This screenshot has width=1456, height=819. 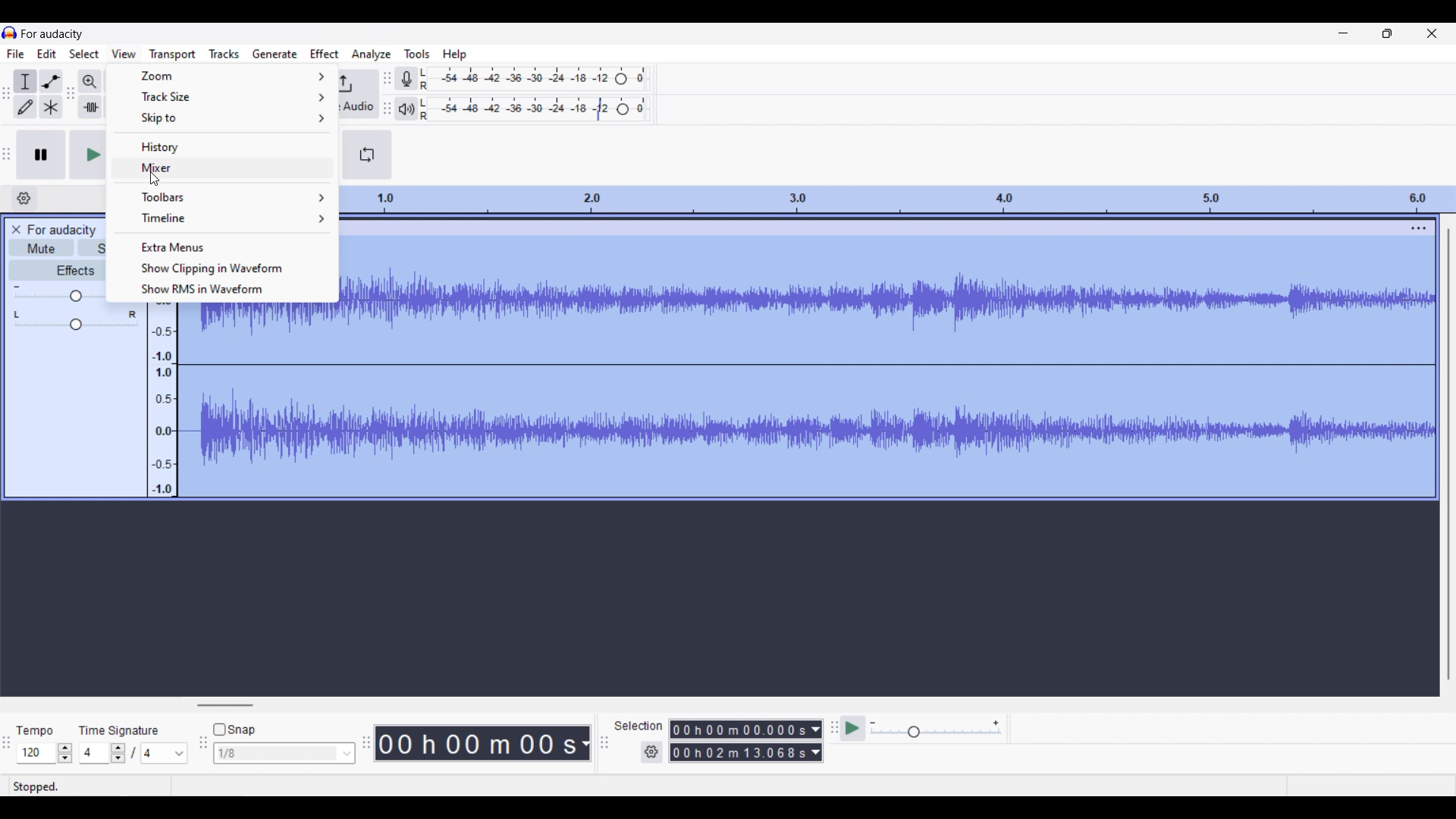 What do you see at coordinates (47, 54) in the screenshot?
I see `Edit menu` at bounding box center [47, 54].